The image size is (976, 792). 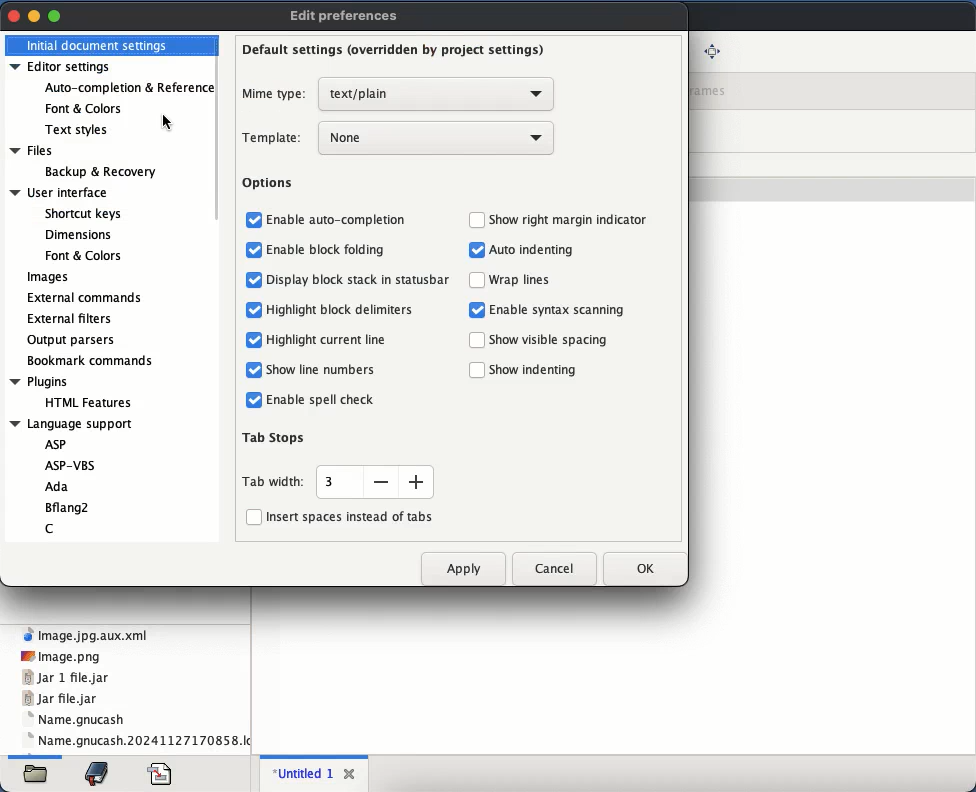 What do you see at coordinates (346, 17) in the screenshot?
I see `edit preferences` at bounding box center [346, 17].